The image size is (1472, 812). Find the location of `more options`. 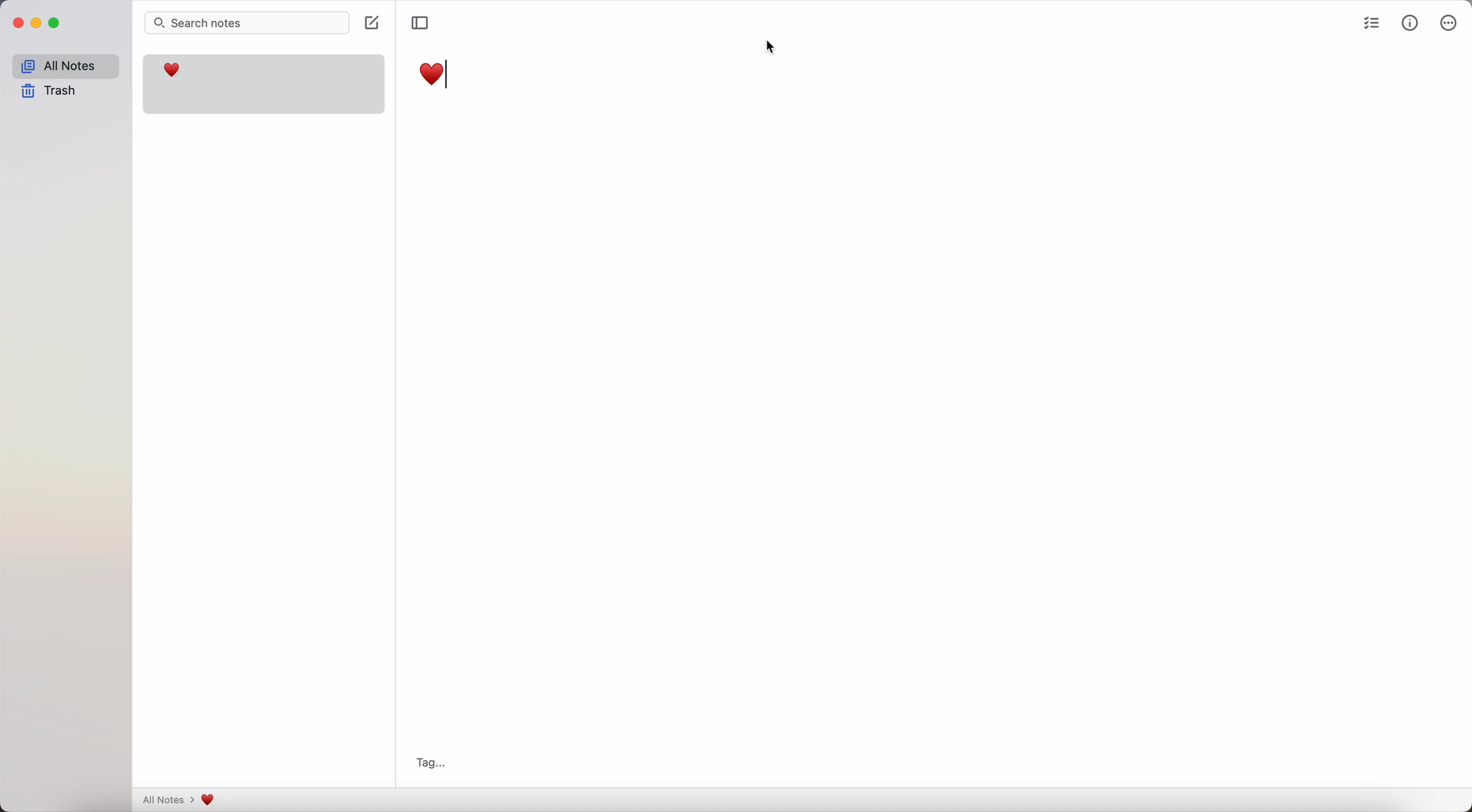

more options is located at coordinates (1448, 22).